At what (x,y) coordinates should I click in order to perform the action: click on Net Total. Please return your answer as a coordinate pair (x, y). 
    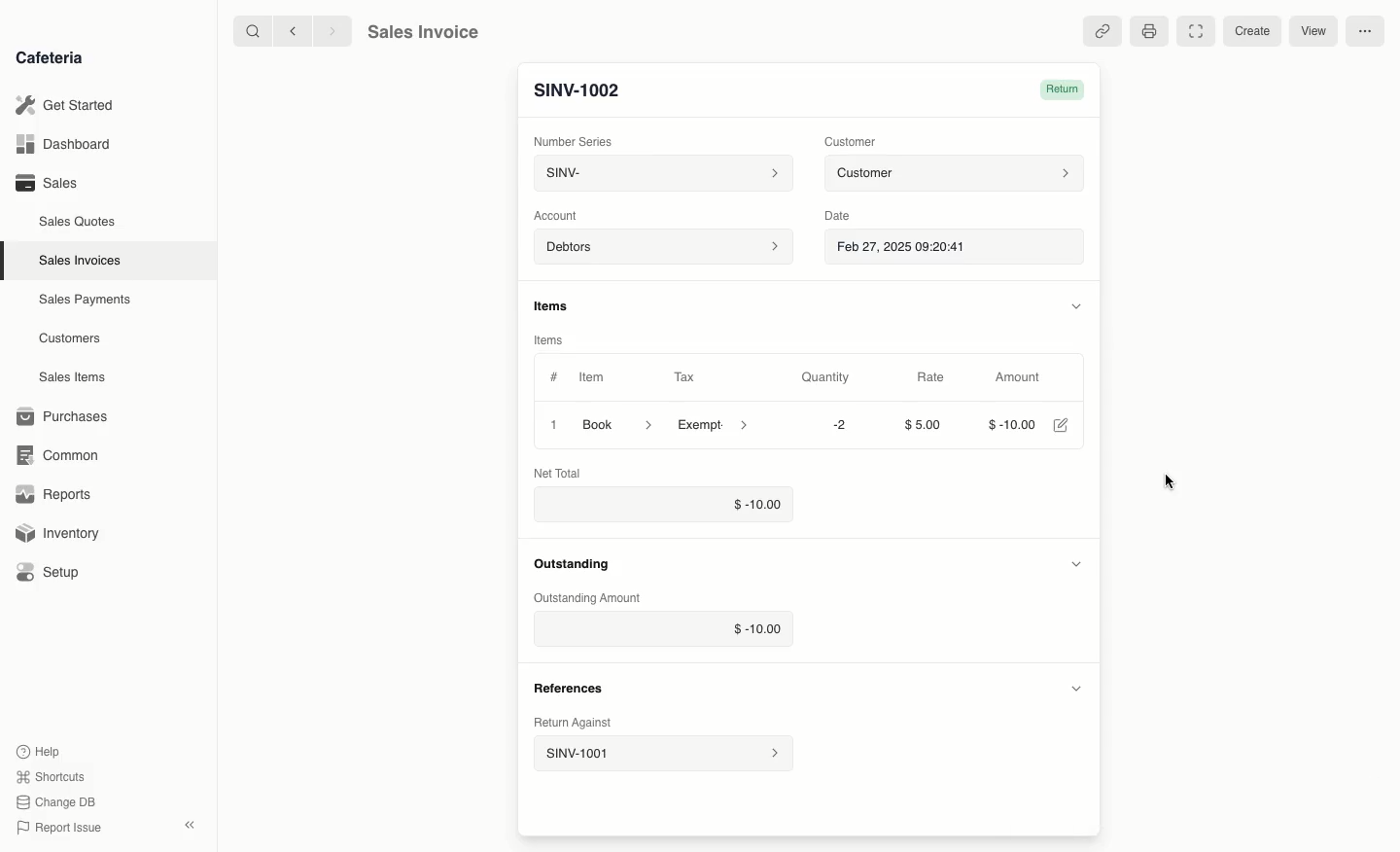
    Looking at the image, I should click on (564, 472).